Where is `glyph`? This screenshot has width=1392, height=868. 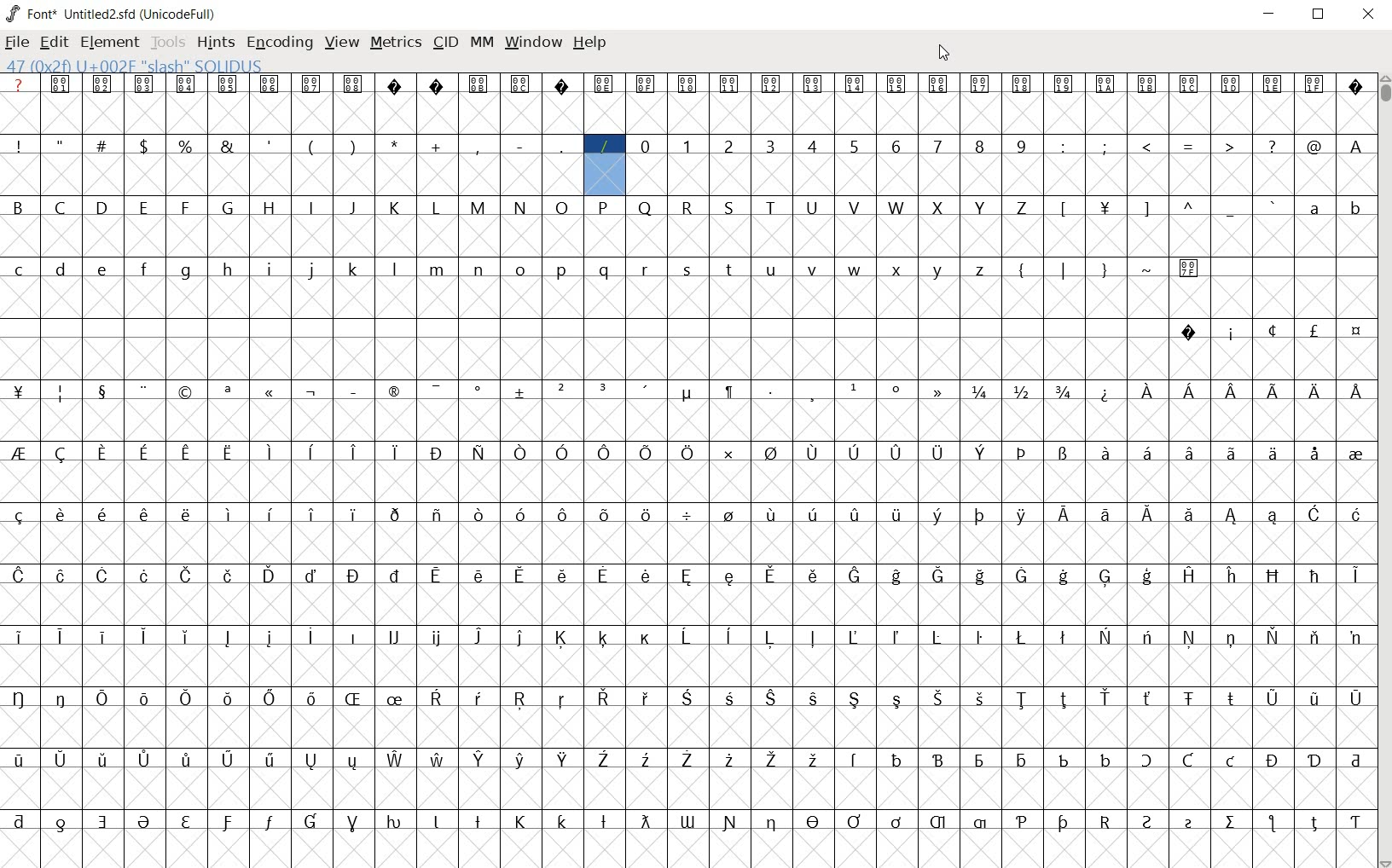
glyph is located at coordinates (562, 146).